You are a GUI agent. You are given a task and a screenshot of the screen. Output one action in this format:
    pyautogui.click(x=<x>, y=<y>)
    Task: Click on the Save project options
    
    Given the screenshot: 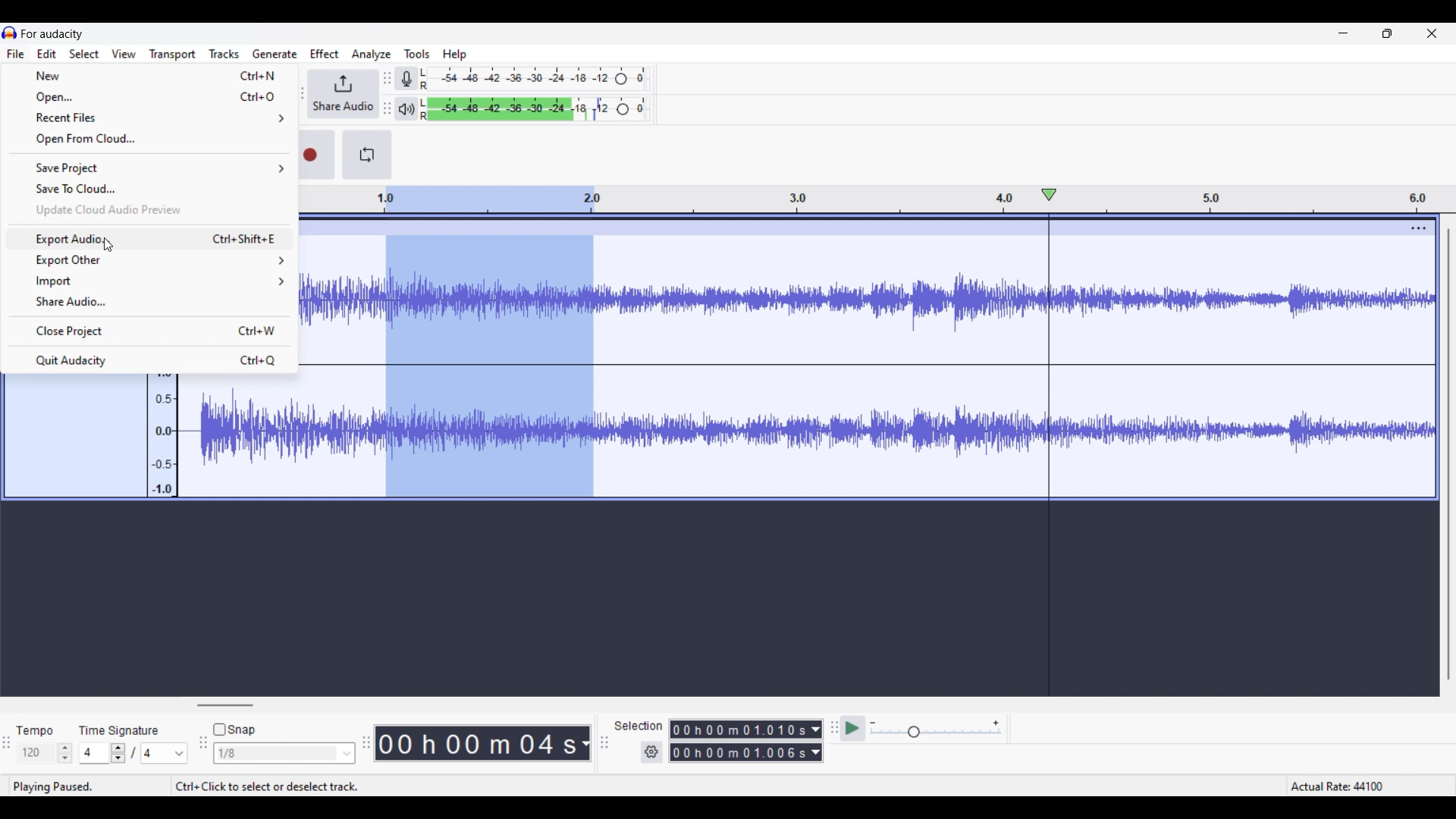 What is the action you would take?
    pyautogui.click(x=150, y=168)
    